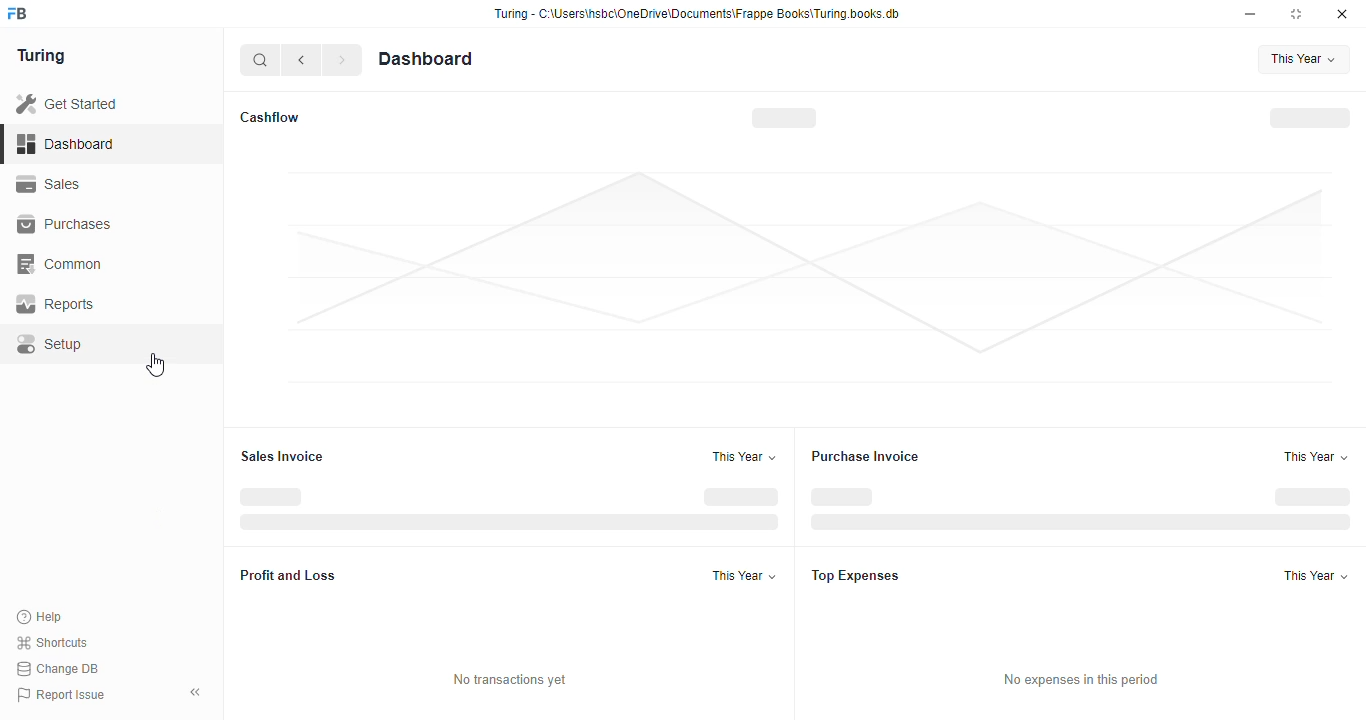 This screenshot has height=720, width=1366. I want to click on this year, so click(1316, 575).